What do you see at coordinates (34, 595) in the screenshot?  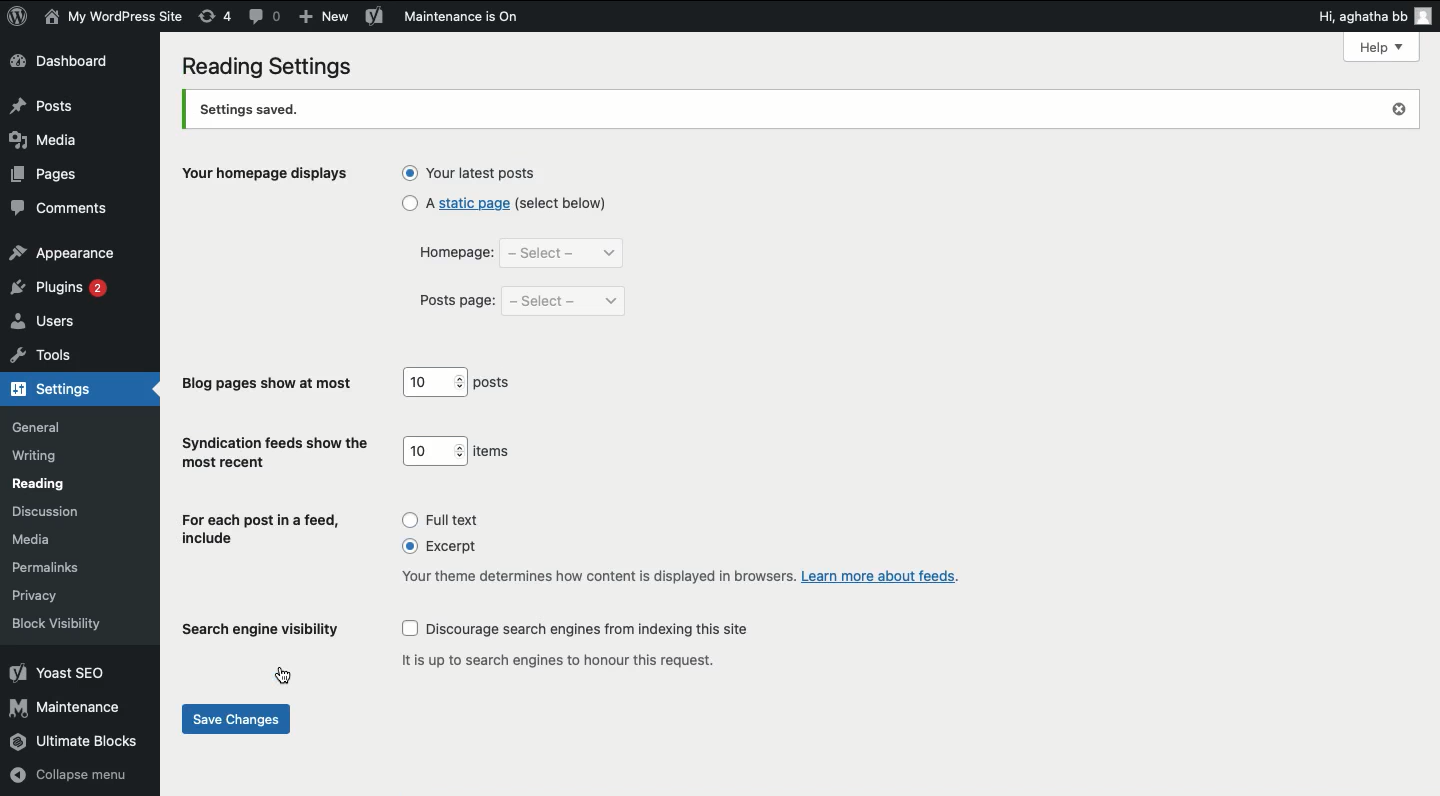 I see `privacy ` at bounding box center [34, 595].